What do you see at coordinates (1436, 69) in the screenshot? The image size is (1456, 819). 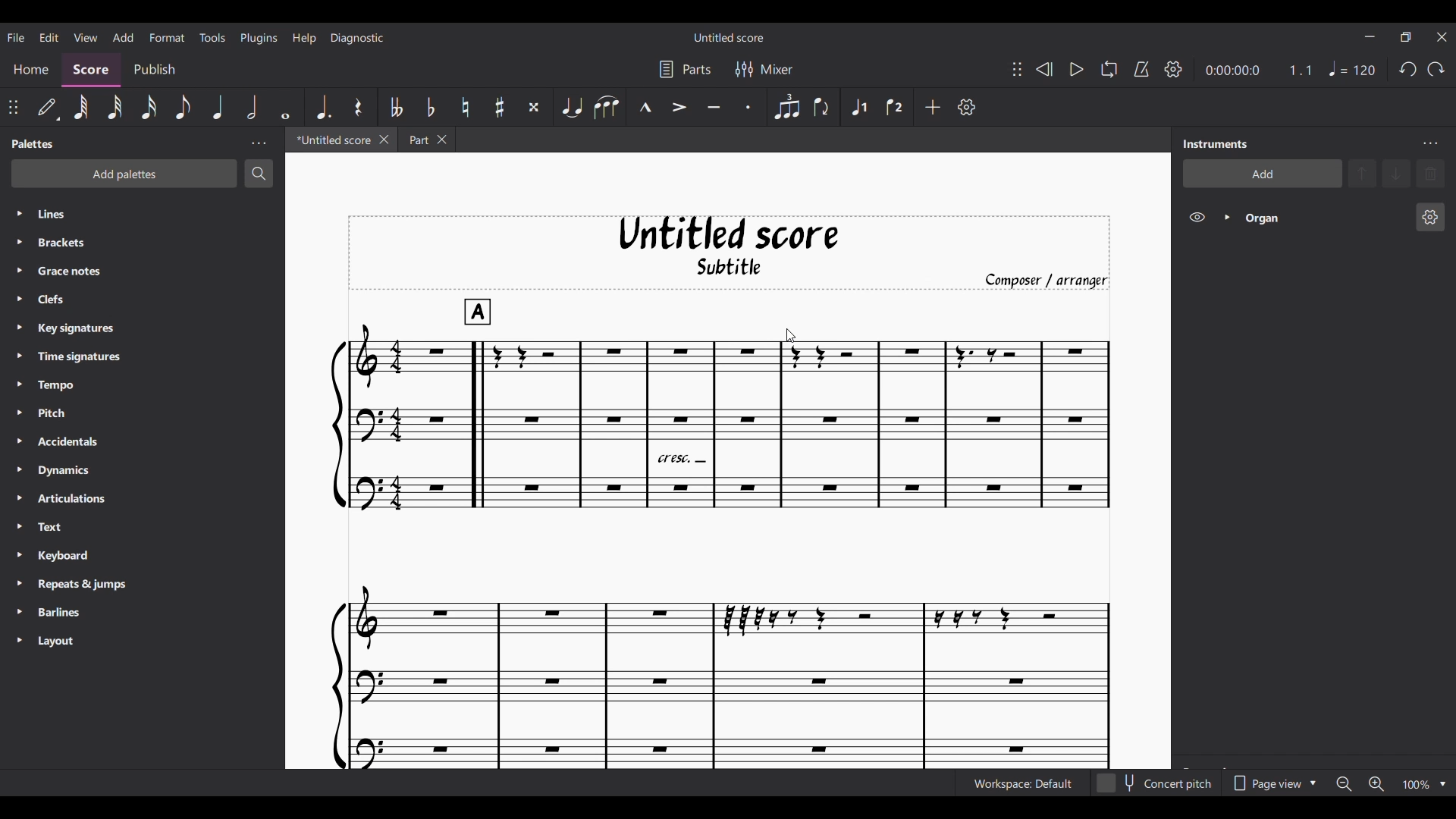 I see `Redo` at bounding box center [1436, 69].